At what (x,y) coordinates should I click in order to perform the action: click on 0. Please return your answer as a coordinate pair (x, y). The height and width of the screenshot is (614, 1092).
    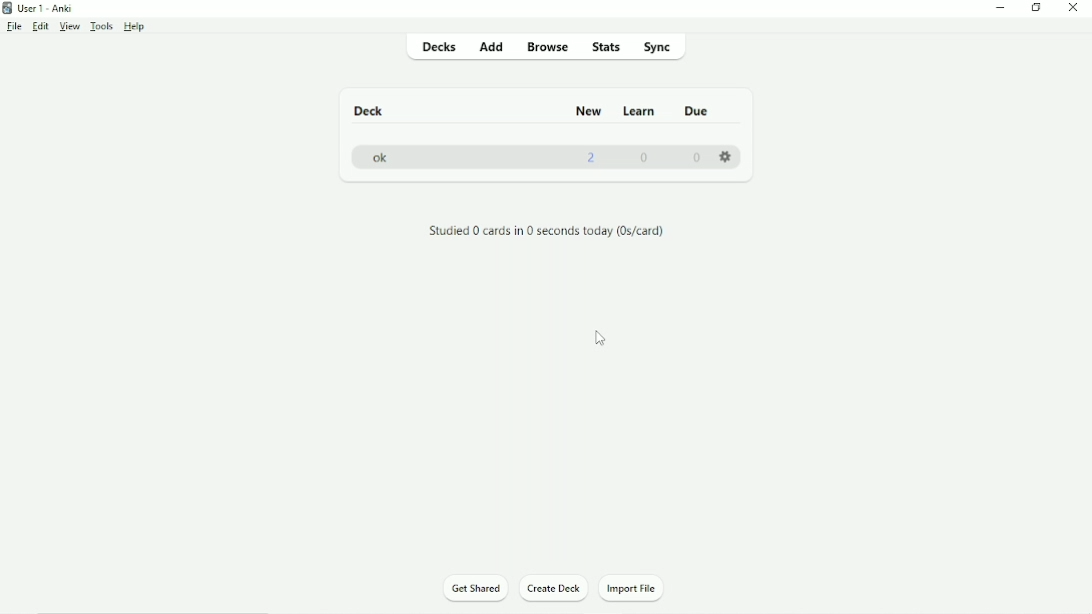
    Looking at the image, I should click on (697, 157).